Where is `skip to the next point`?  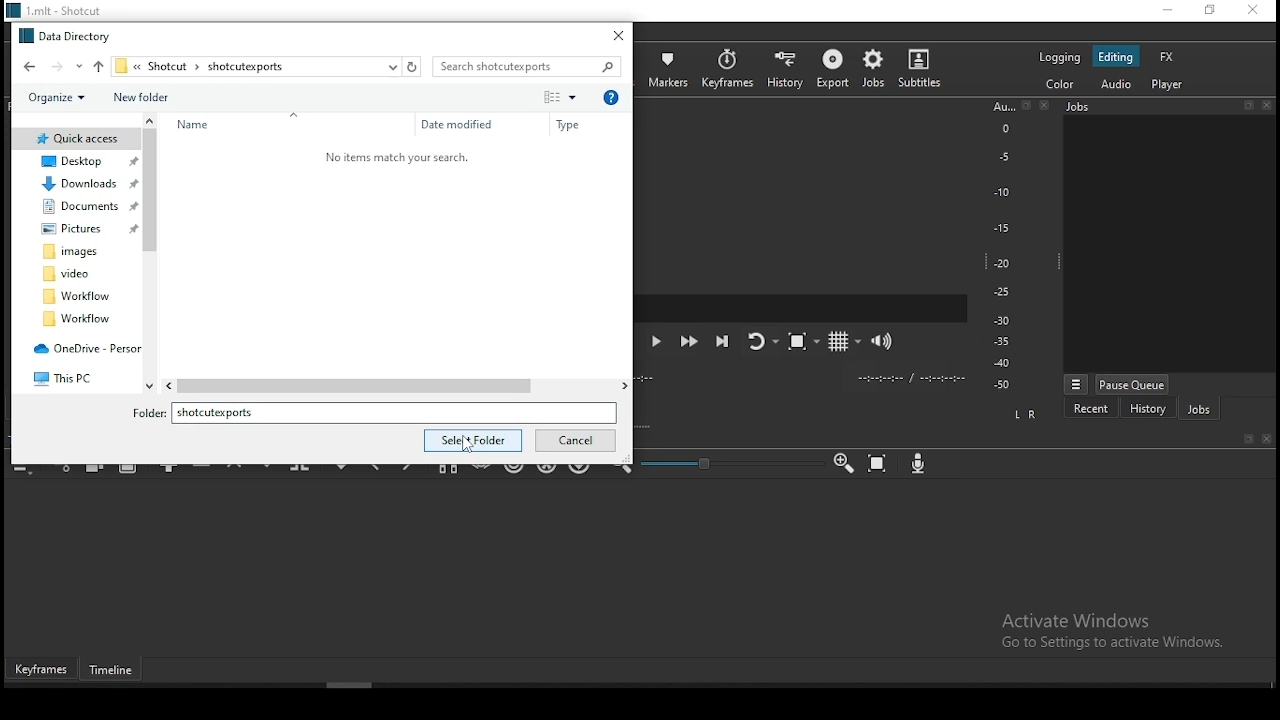 skip to the next point is located at coordinates (723, 340).